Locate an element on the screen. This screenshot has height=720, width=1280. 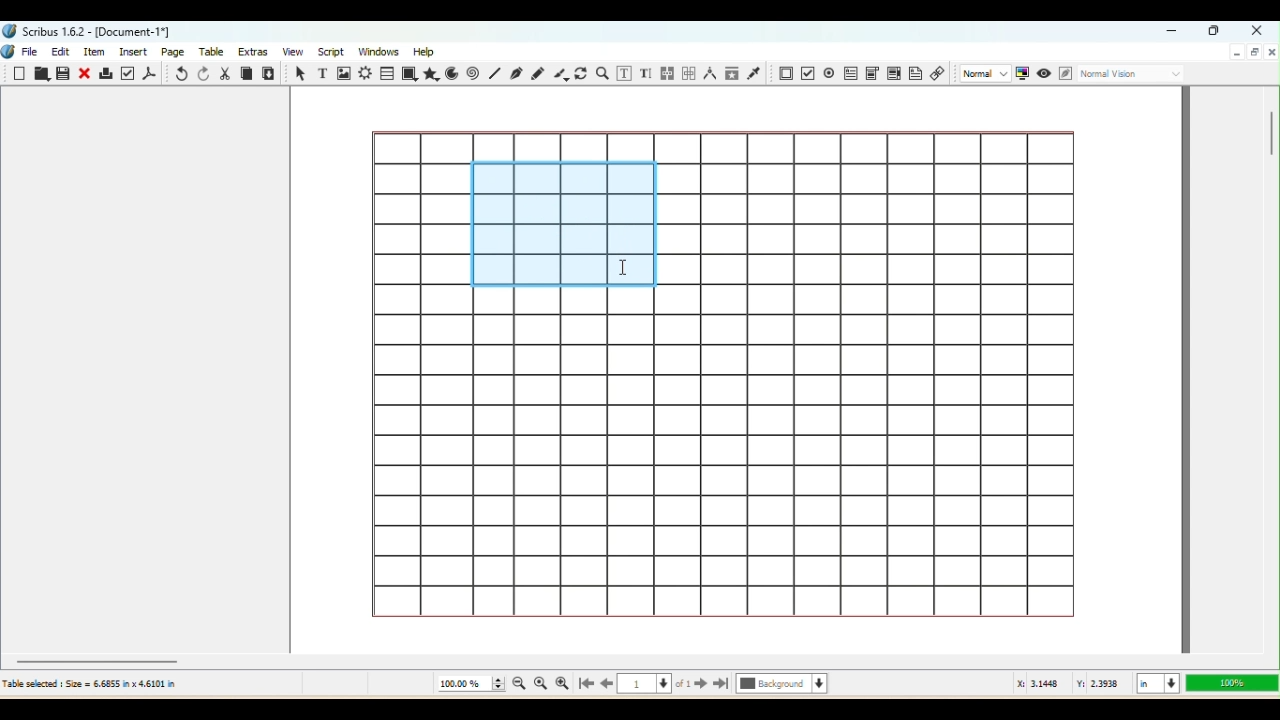
Select item is located at coordinates (298, 73).